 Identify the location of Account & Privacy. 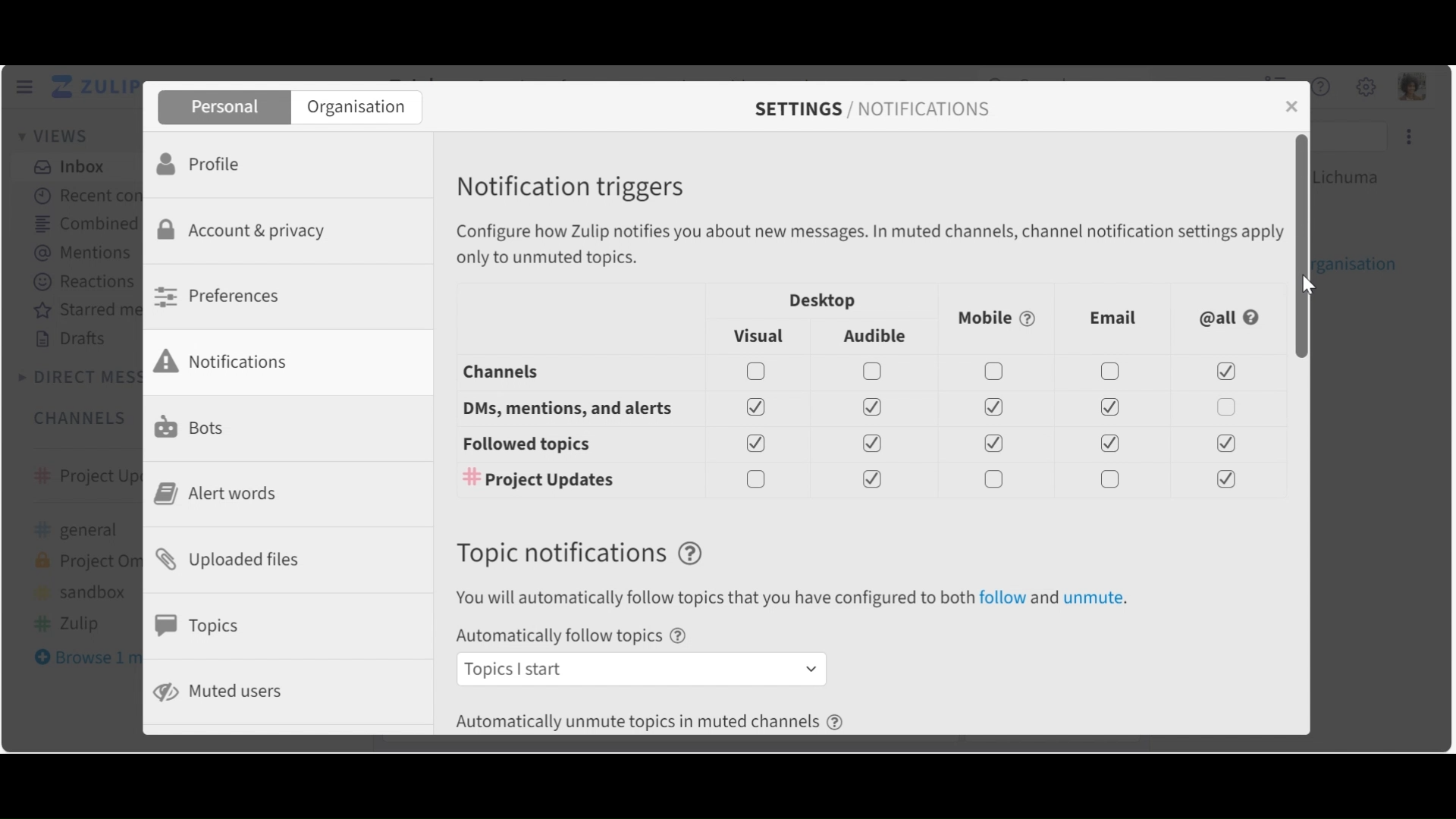
(246, 232).